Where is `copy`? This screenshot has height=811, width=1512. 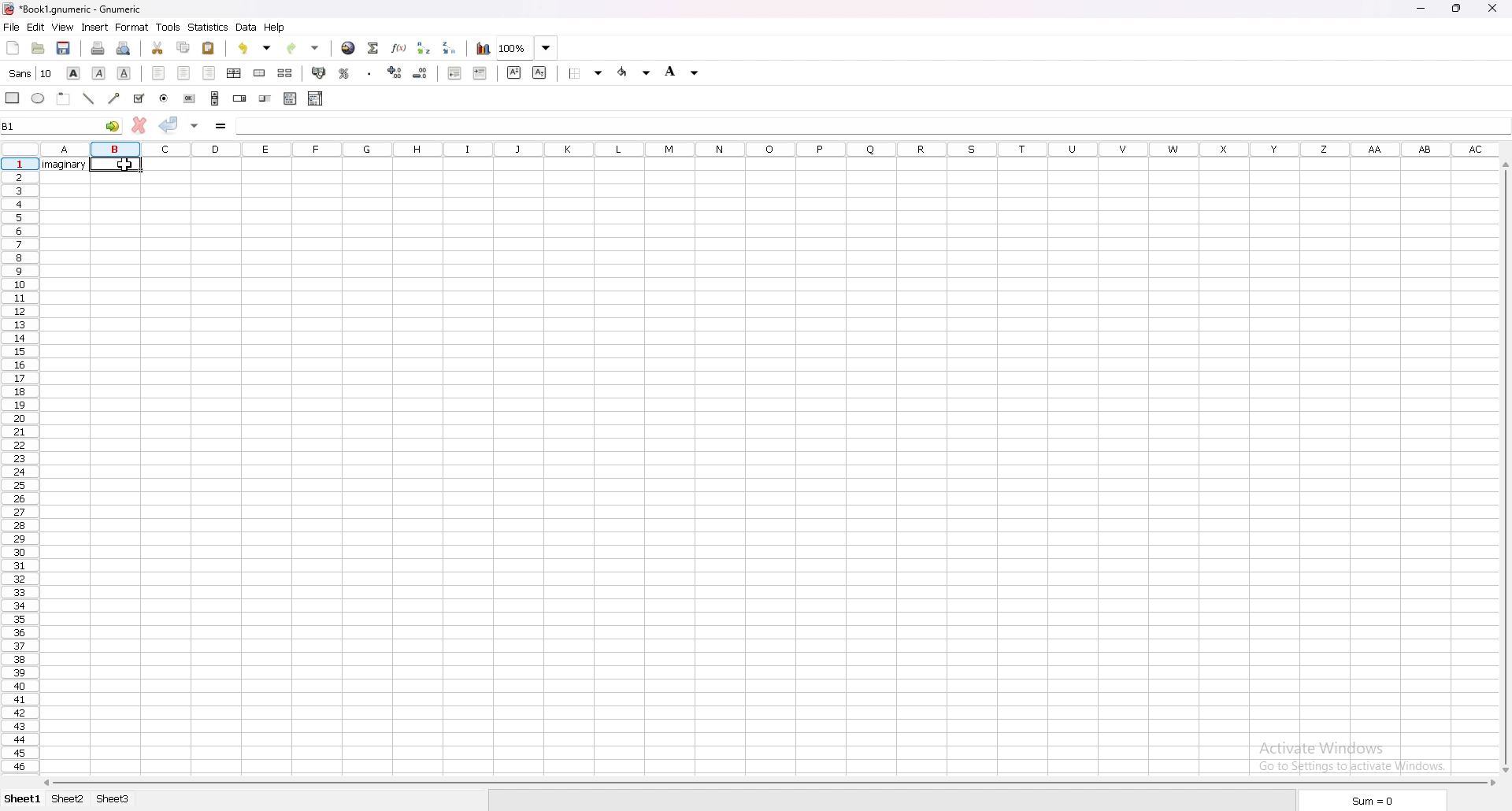
copy is located at coordinates (183, 46).